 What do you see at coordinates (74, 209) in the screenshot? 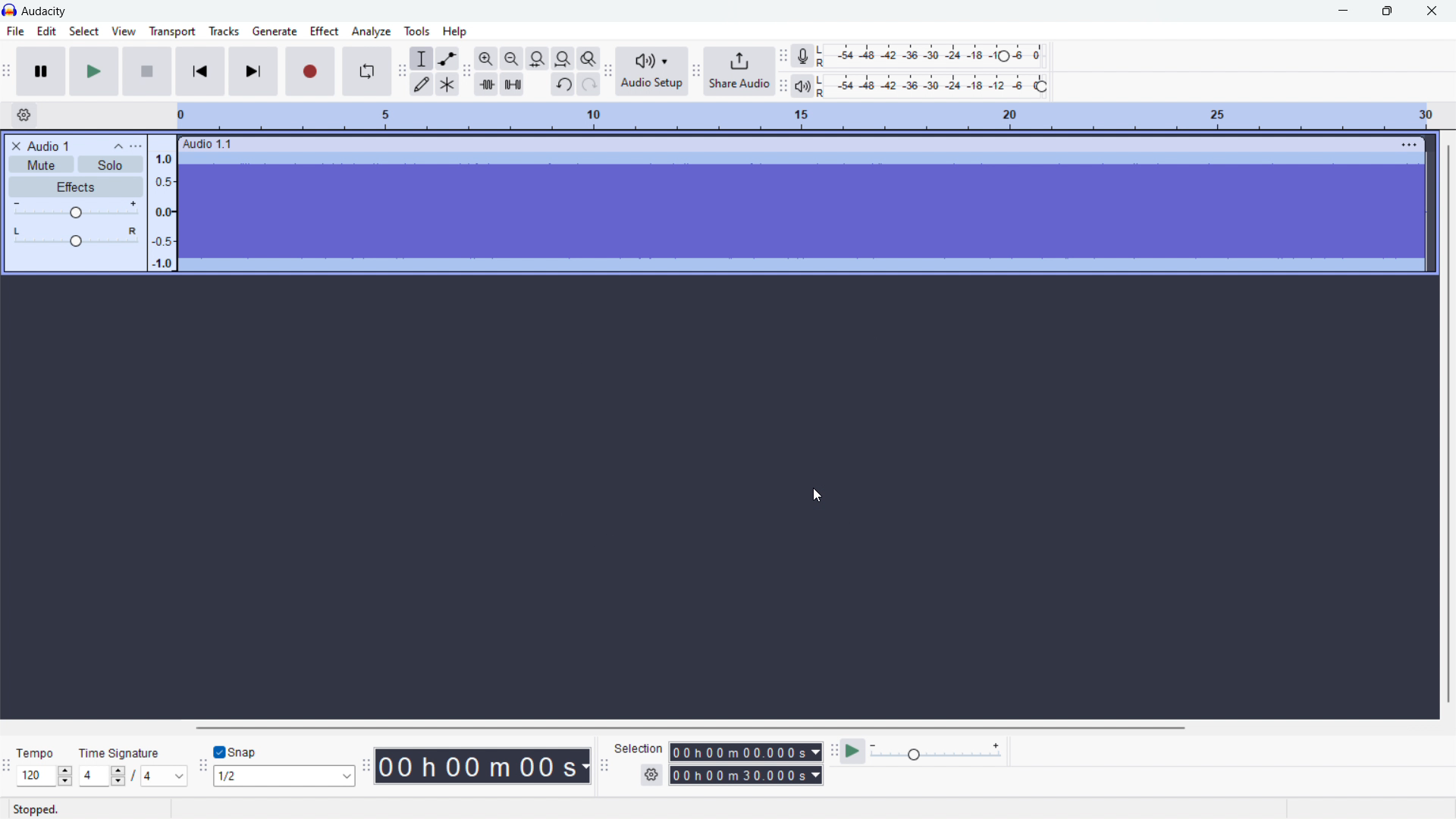
I see `volume` at bounding box center [74, 209].